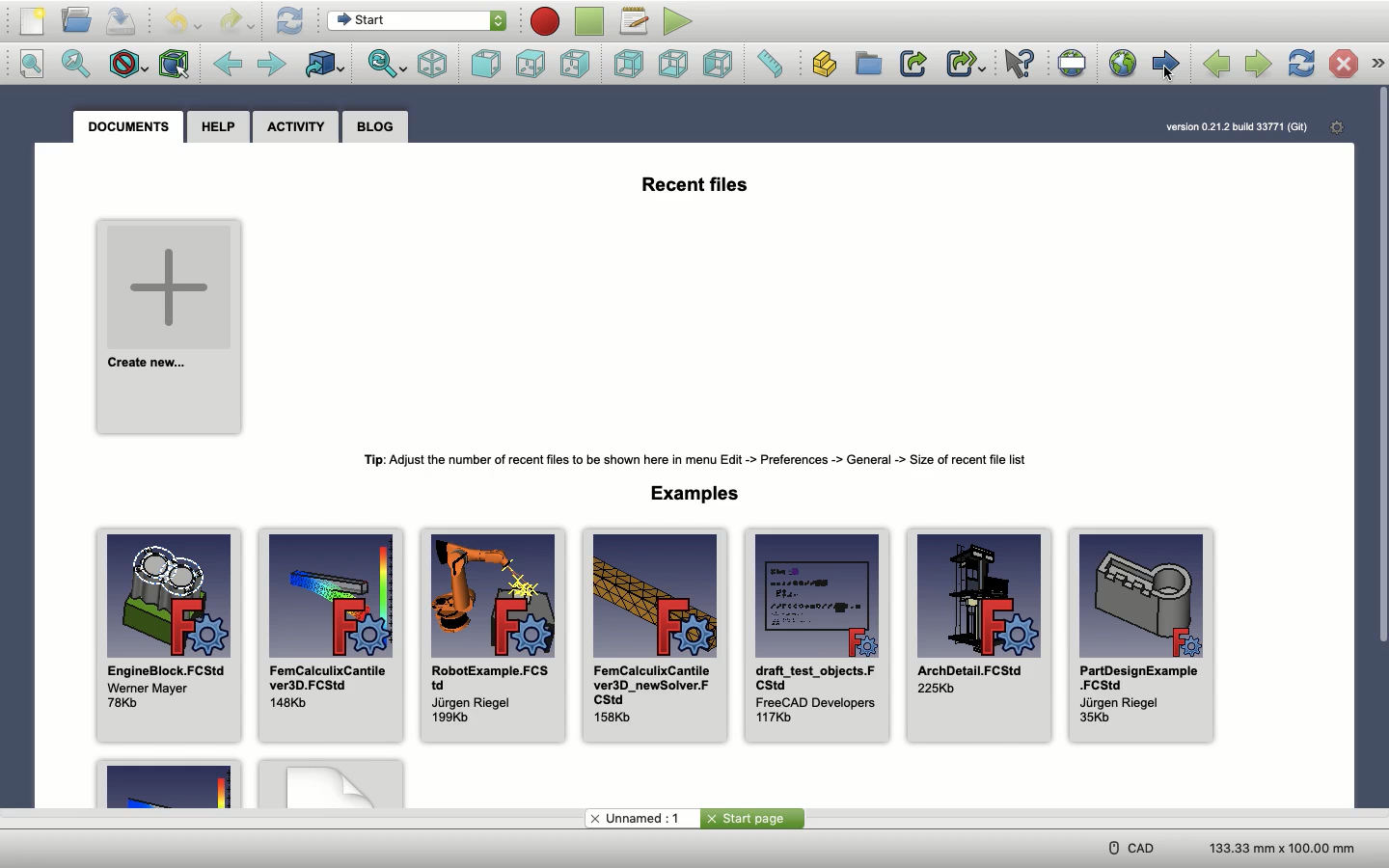  What do you see at coordinates (173, 66) in the screenshot?
I see `Bounding box` at bounding box center [173, 66].